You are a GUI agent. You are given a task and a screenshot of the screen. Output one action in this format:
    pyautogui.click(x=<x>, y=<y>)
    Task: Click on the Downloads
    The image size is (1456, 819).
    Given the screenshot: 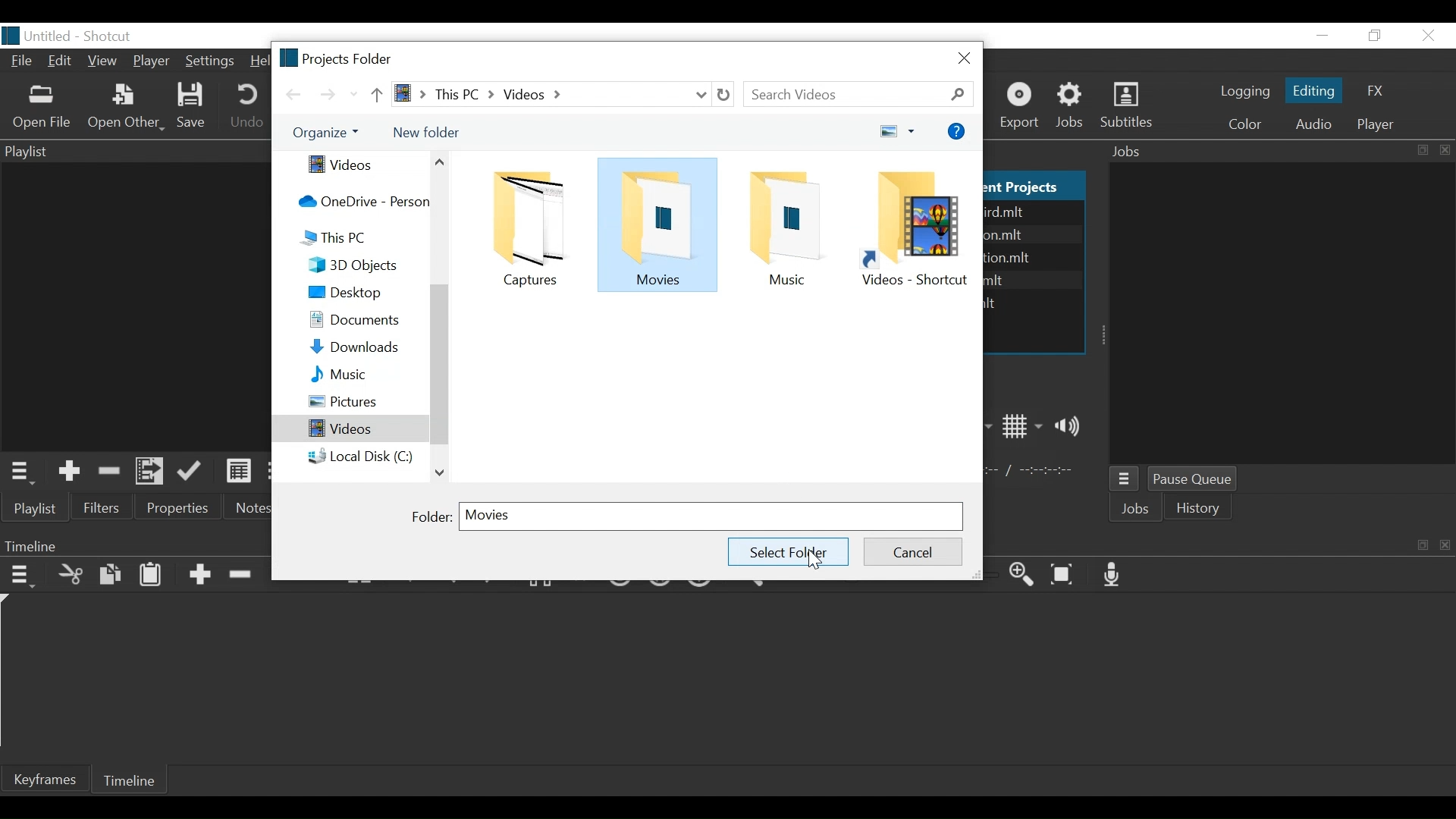 What is the action you would take?
    pyautogui.click(x=362, y=347)
    